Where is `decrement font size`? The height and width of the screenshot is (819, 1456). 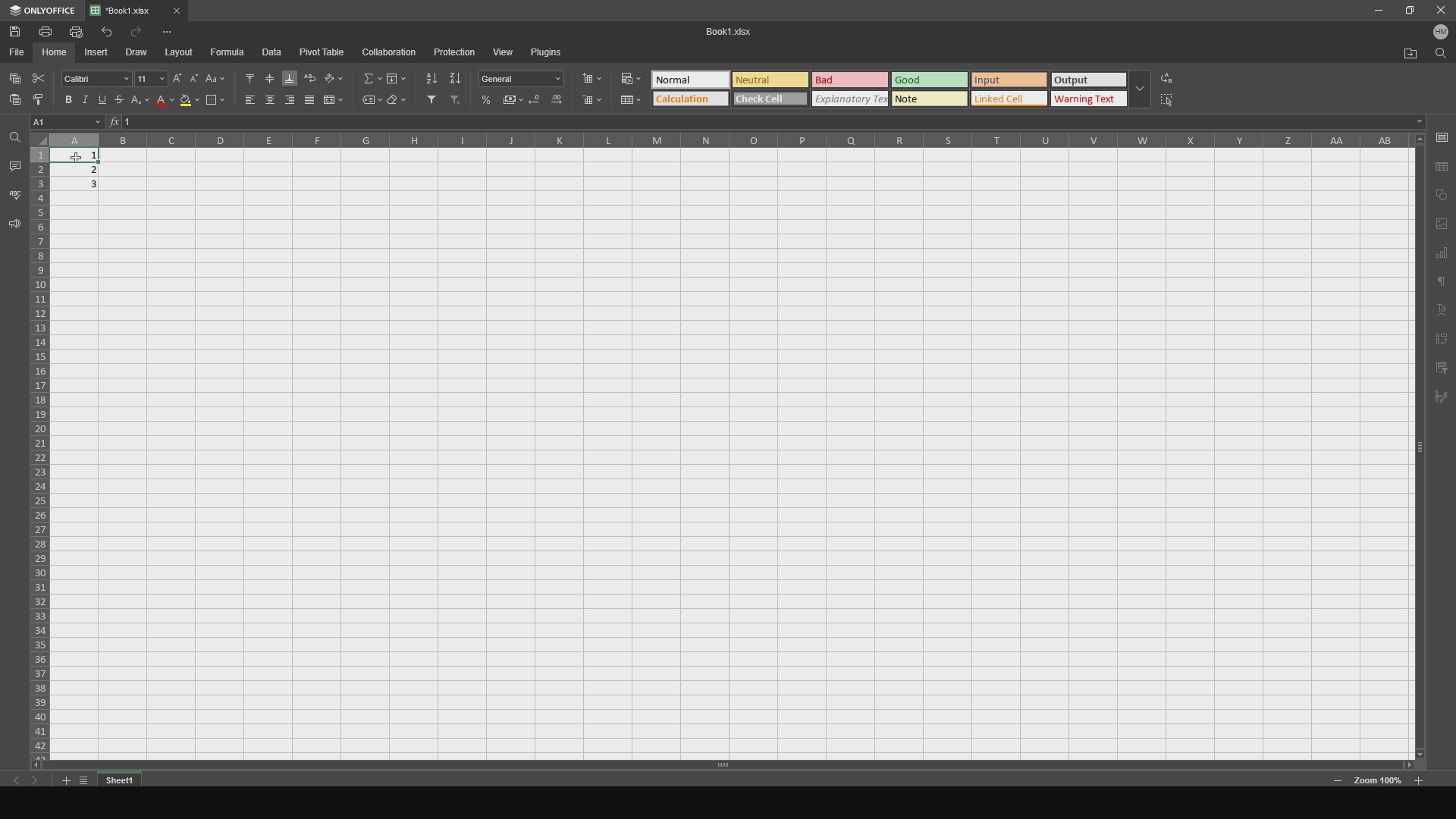 decrement font size is located at coordinates (193, 74).